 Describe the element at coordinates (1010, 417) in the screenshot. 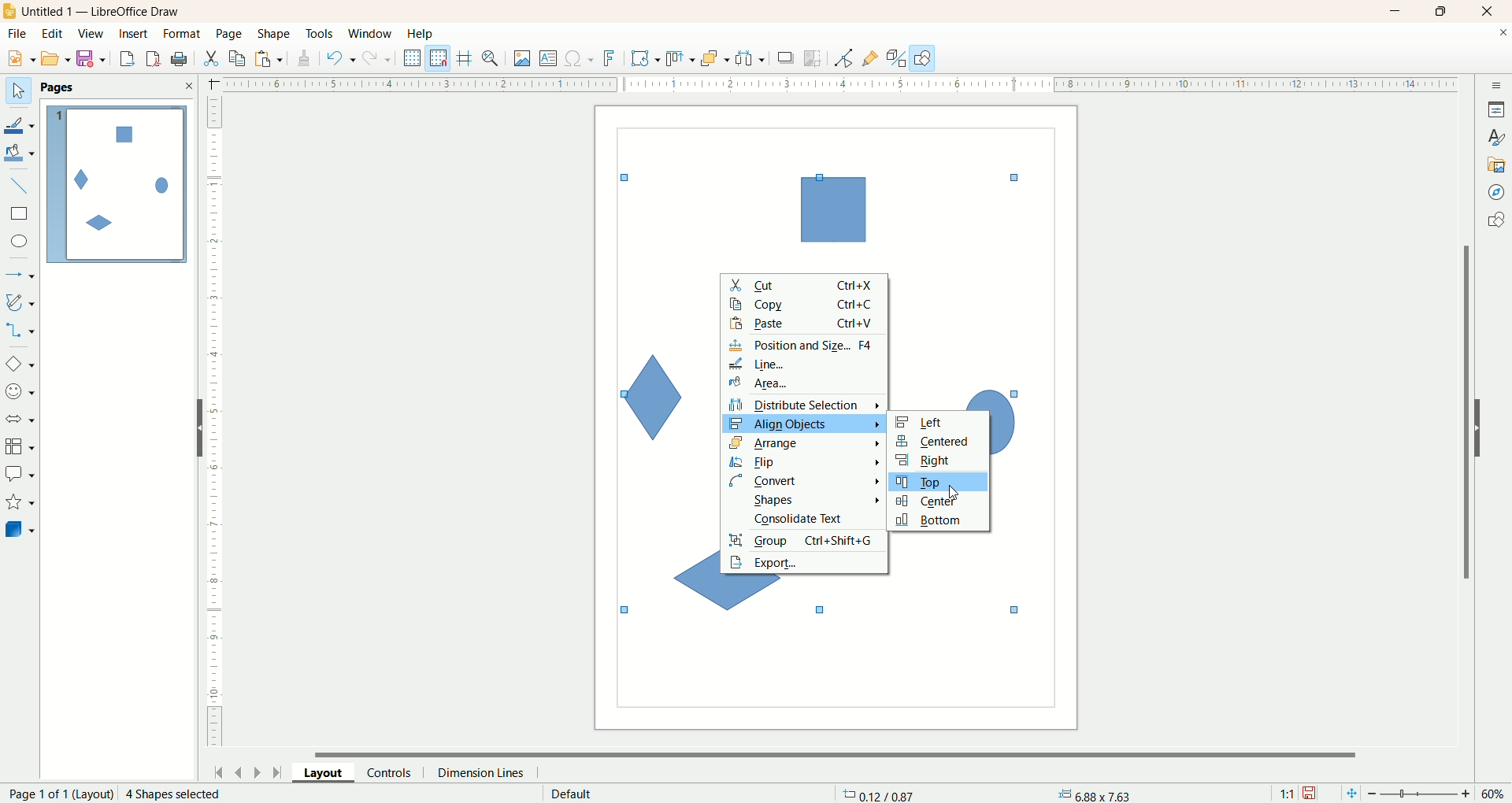

I see `unselected shape` at that location.